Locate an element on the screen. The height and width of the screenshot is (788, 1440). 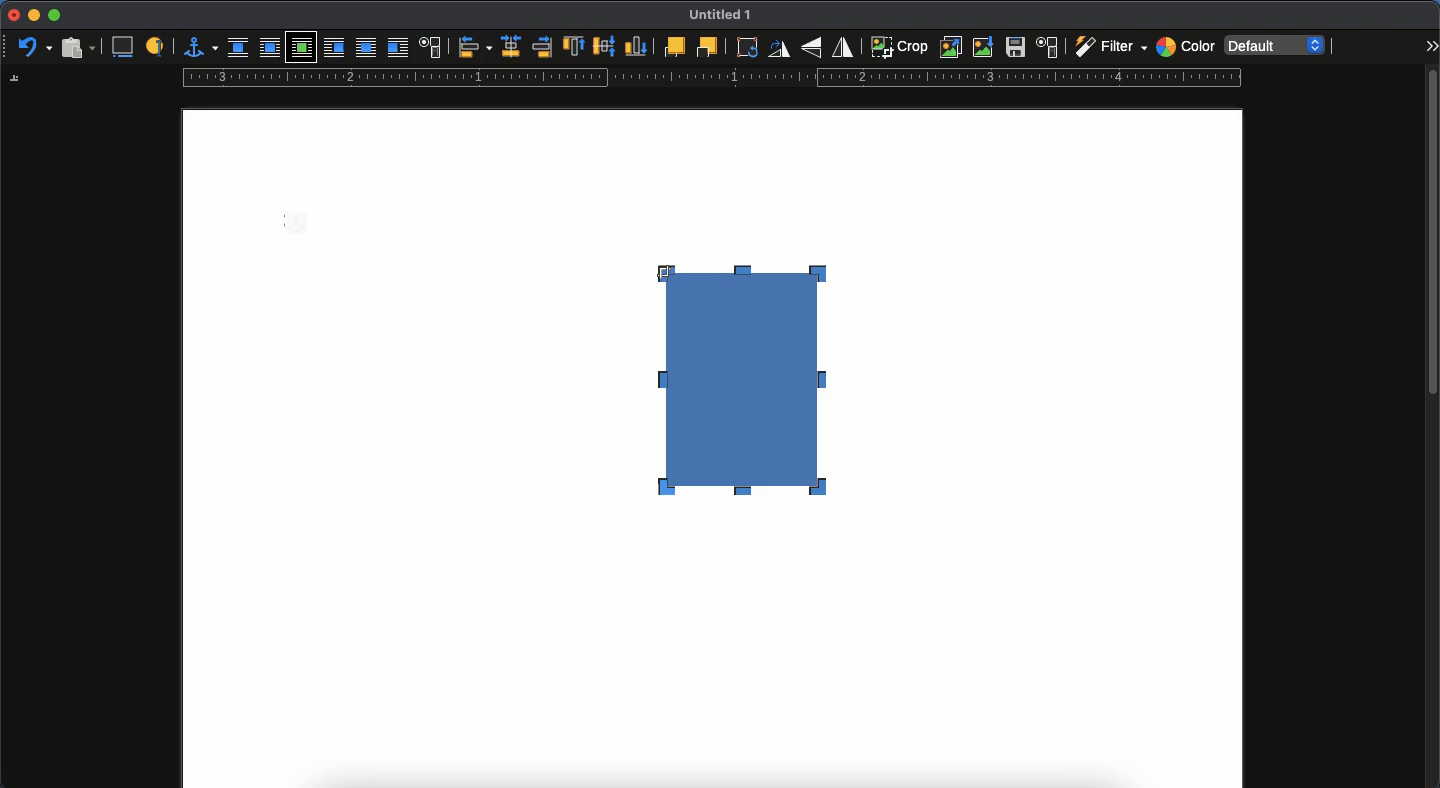
minimize is located at coordinates (33, 15).